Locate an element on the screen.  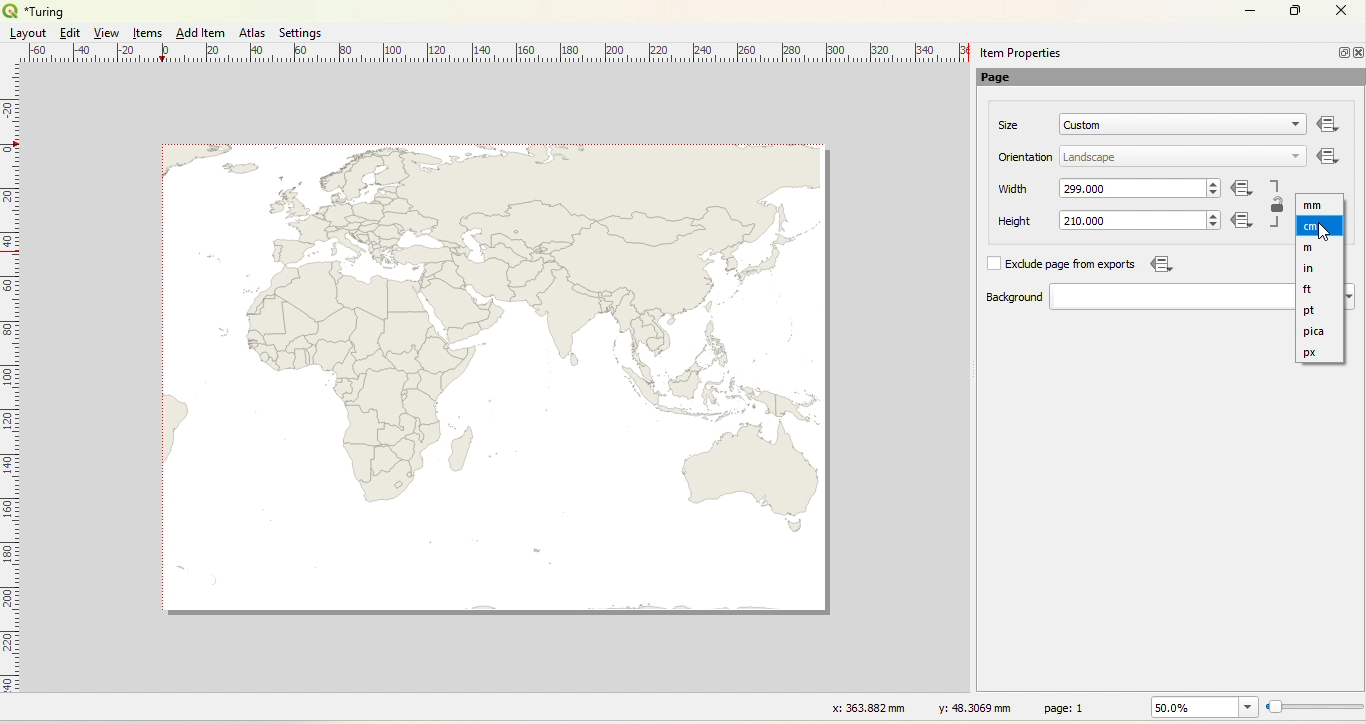
item properties is located at coordinates (1020, 53).